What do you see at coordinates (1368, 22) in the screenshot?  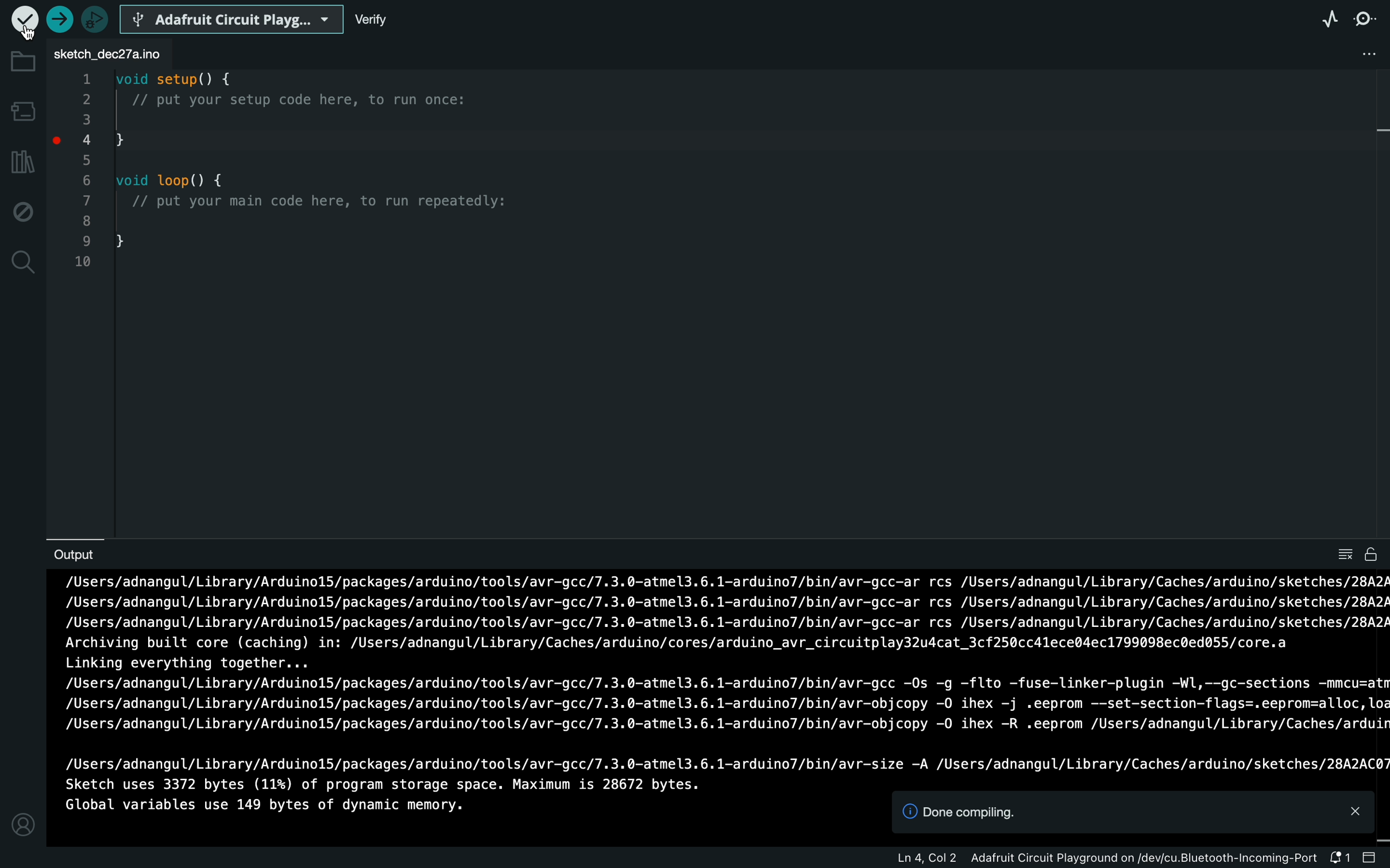 I see `serial monitor` at bounding box center [1368, 22].